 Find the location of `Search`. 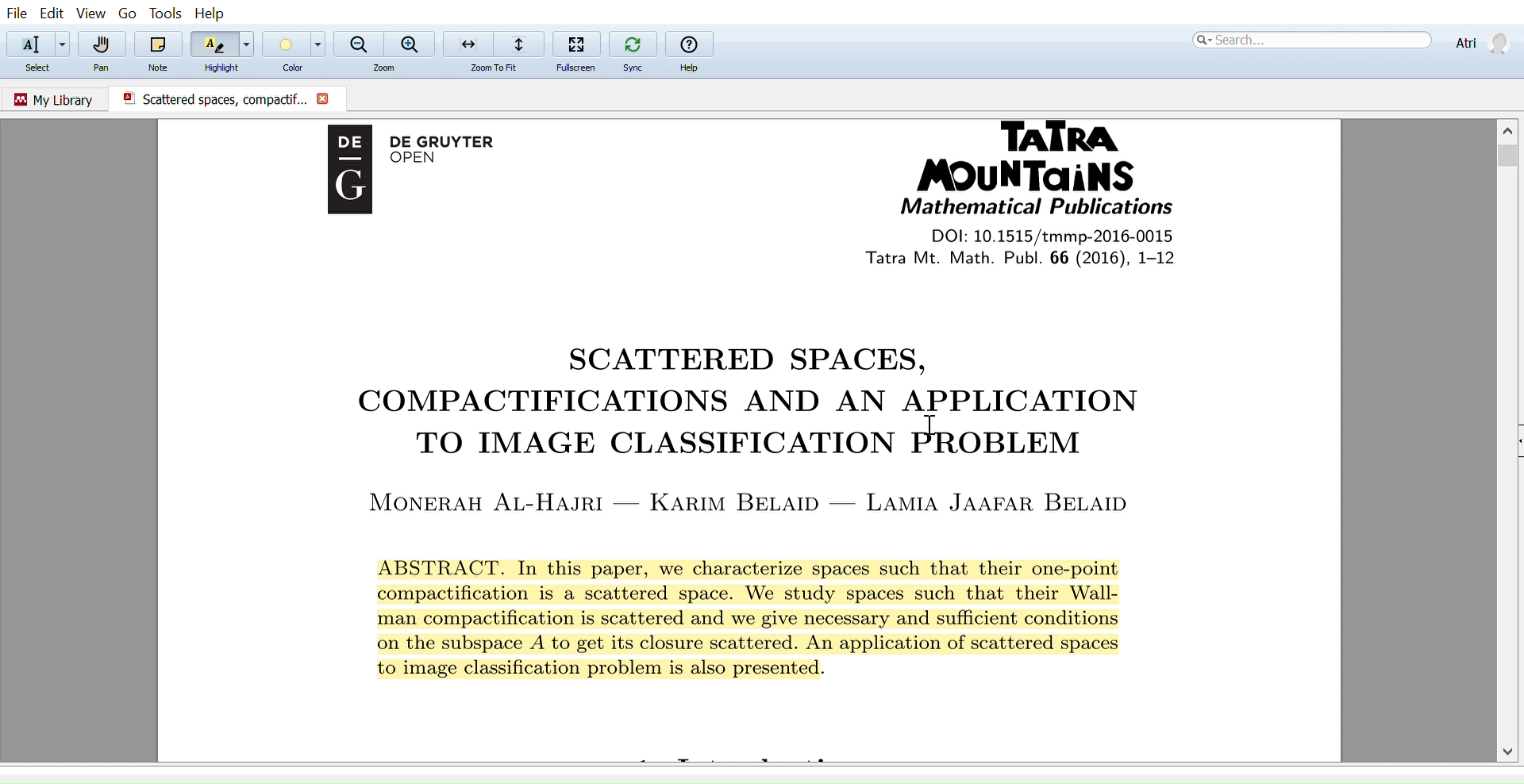

Search is located at coordinates (1310, 40).